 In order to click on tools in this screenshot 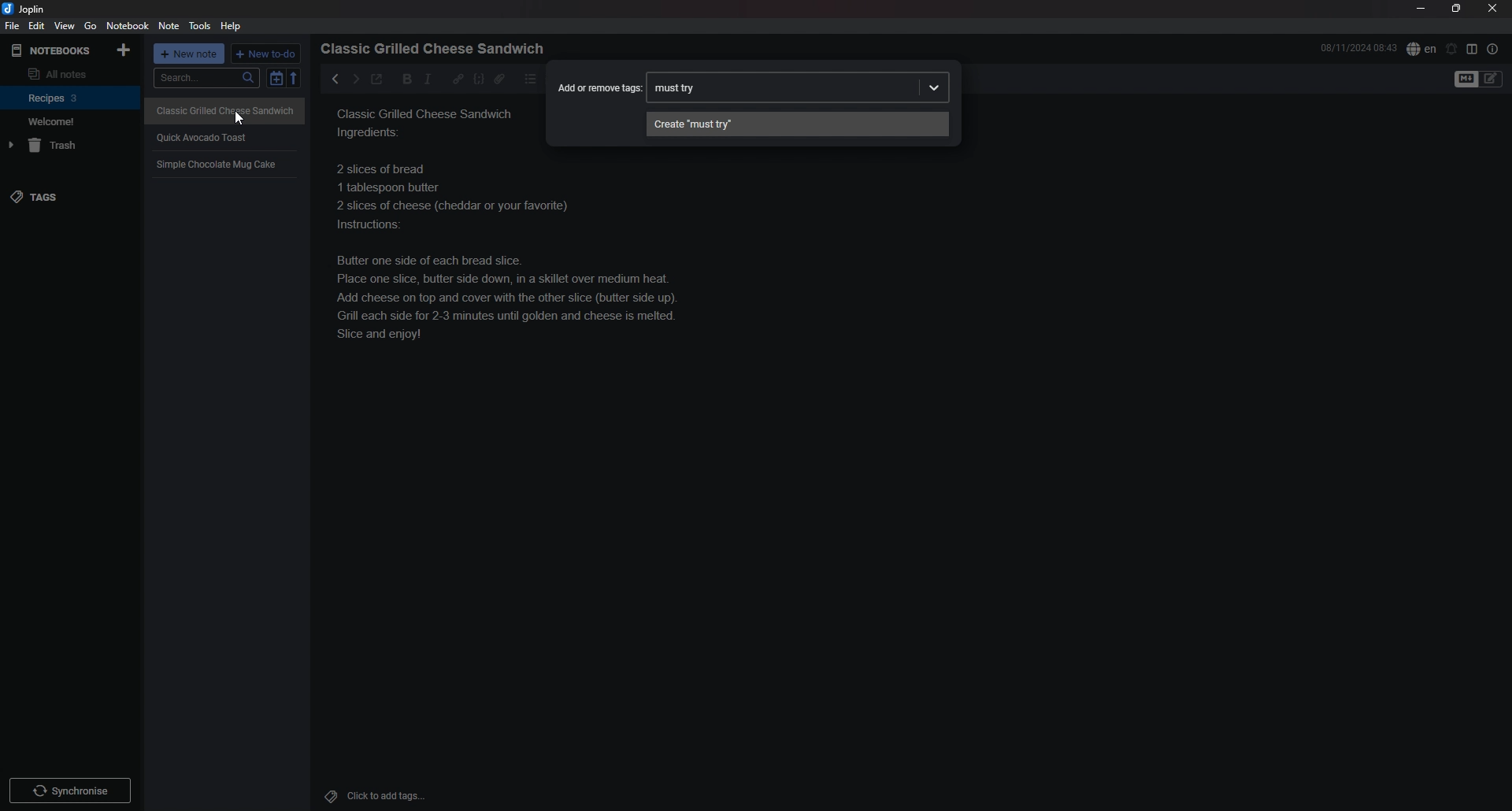, I will do `click(200, 25)`.